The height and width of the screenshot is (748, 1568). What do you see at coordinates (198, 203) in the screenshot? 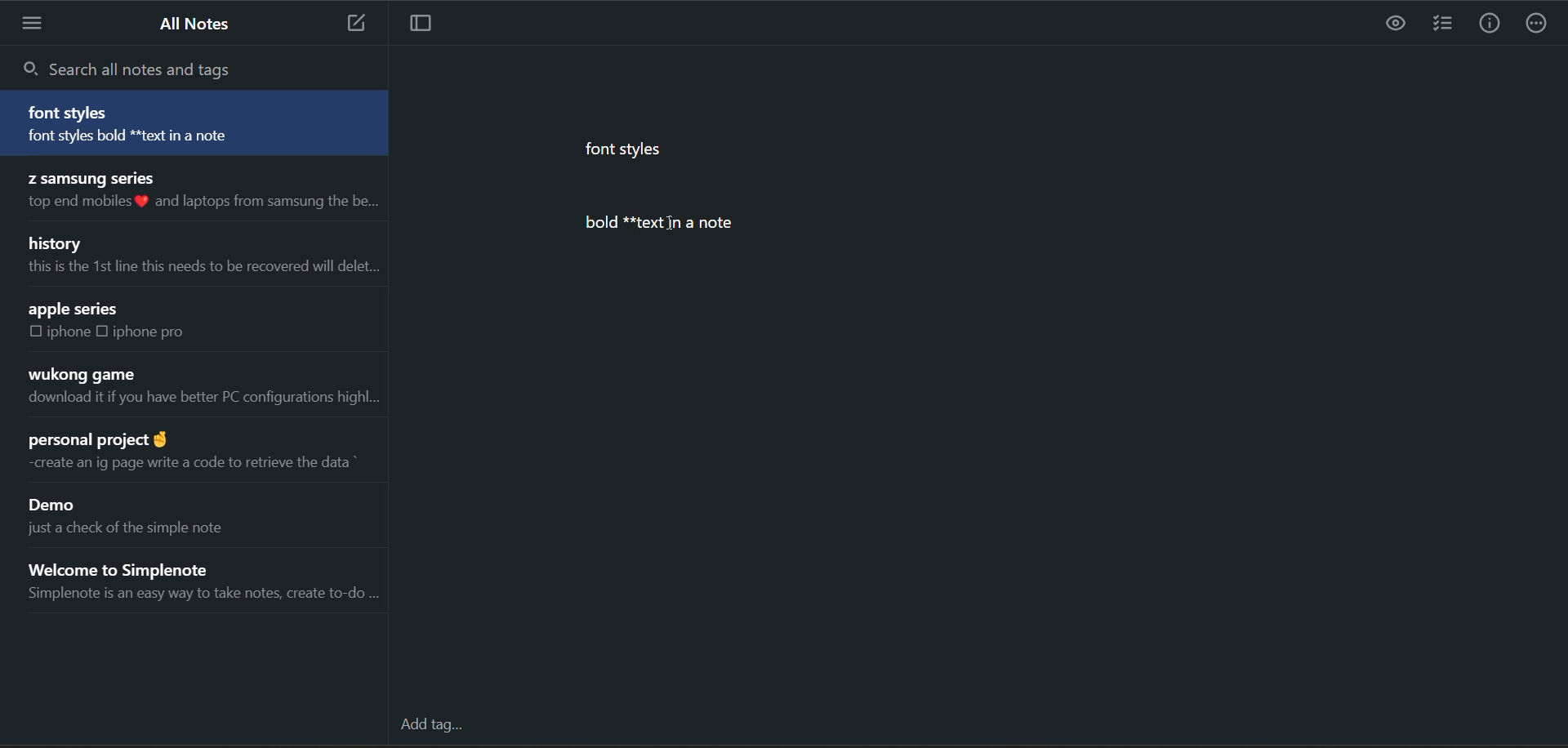
I see `top end mobiles % and laptops from samsung the be...` at bounding box center [198, 203].